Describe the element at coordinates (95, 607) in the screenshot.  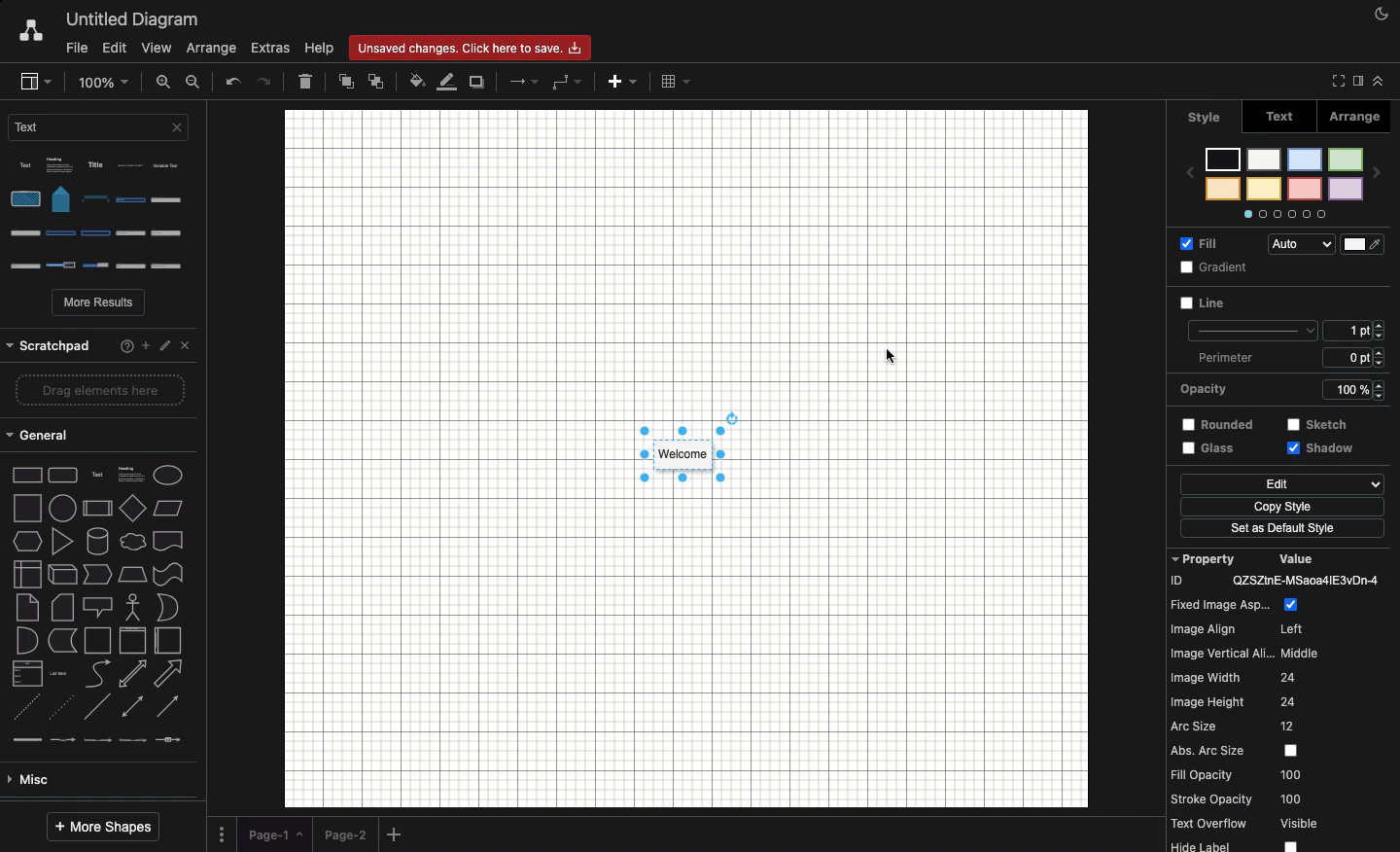
I see `Misc` at that location.